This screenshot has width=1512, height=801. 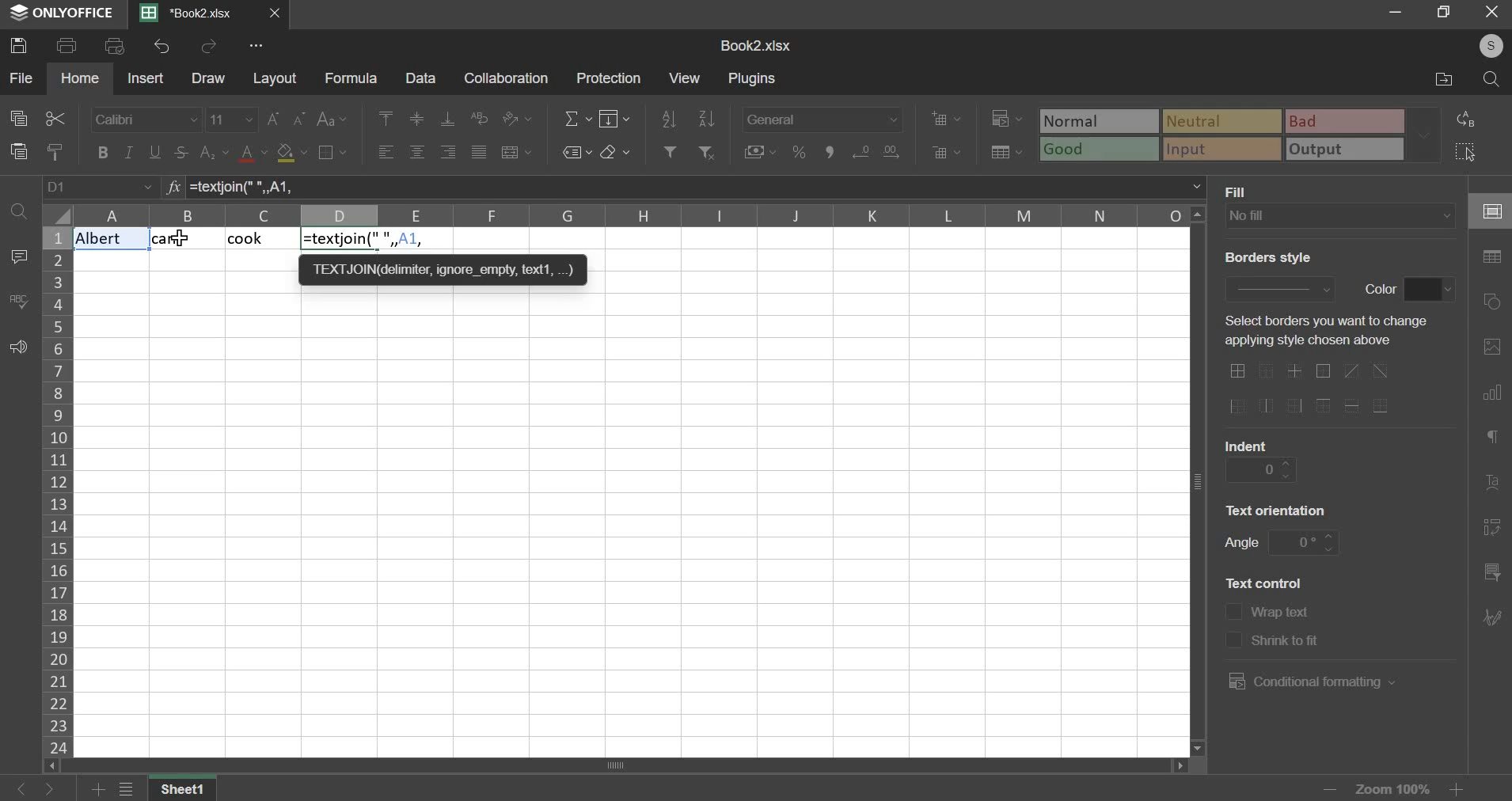 What do you see at coordinates (1494, 79) in the screenshot?
I see `search` at bounding box center [1494, 79].